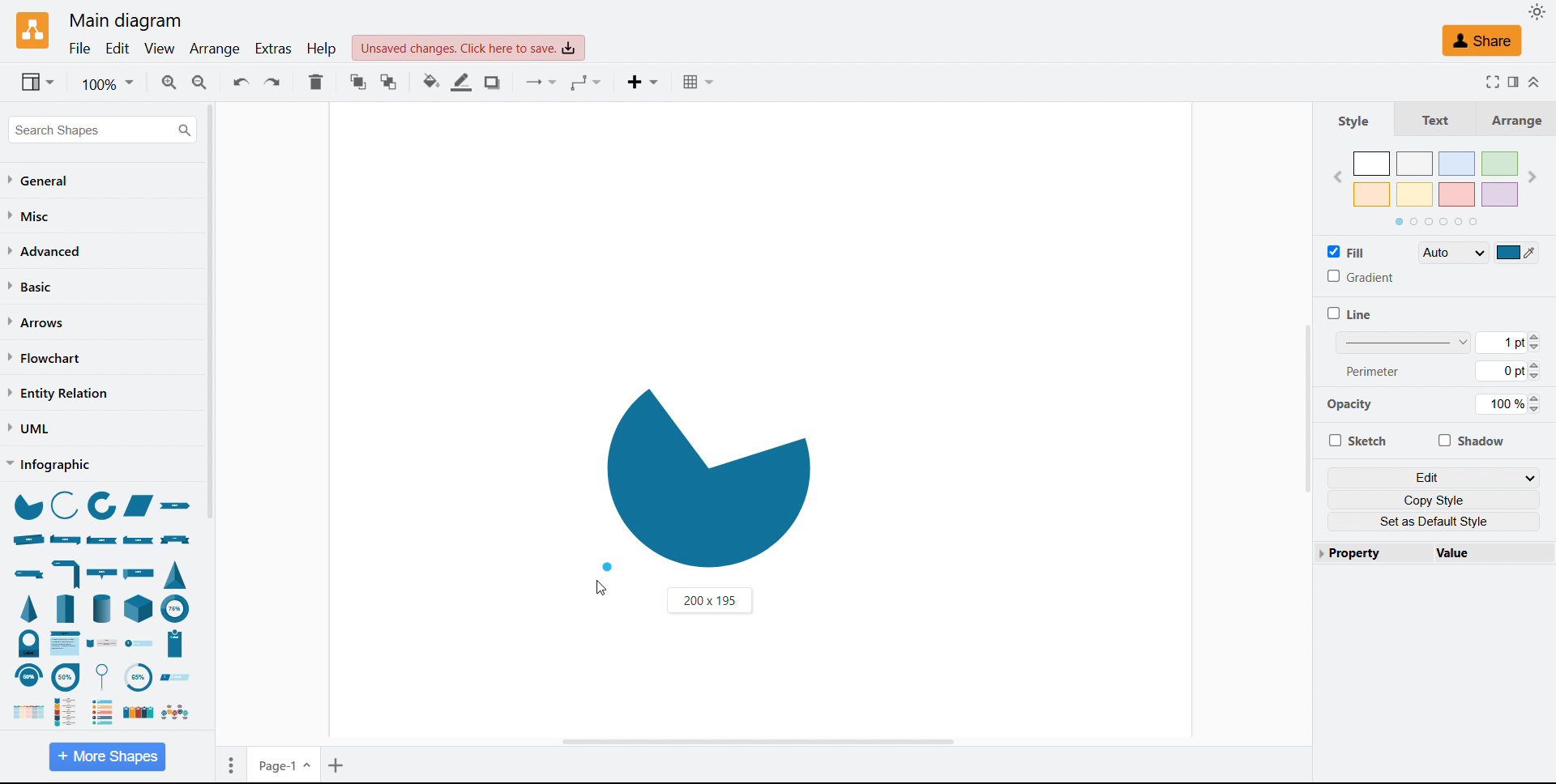  Describe the element at coordinates (140, 607) in the screenshot. I see `cube` at that location.